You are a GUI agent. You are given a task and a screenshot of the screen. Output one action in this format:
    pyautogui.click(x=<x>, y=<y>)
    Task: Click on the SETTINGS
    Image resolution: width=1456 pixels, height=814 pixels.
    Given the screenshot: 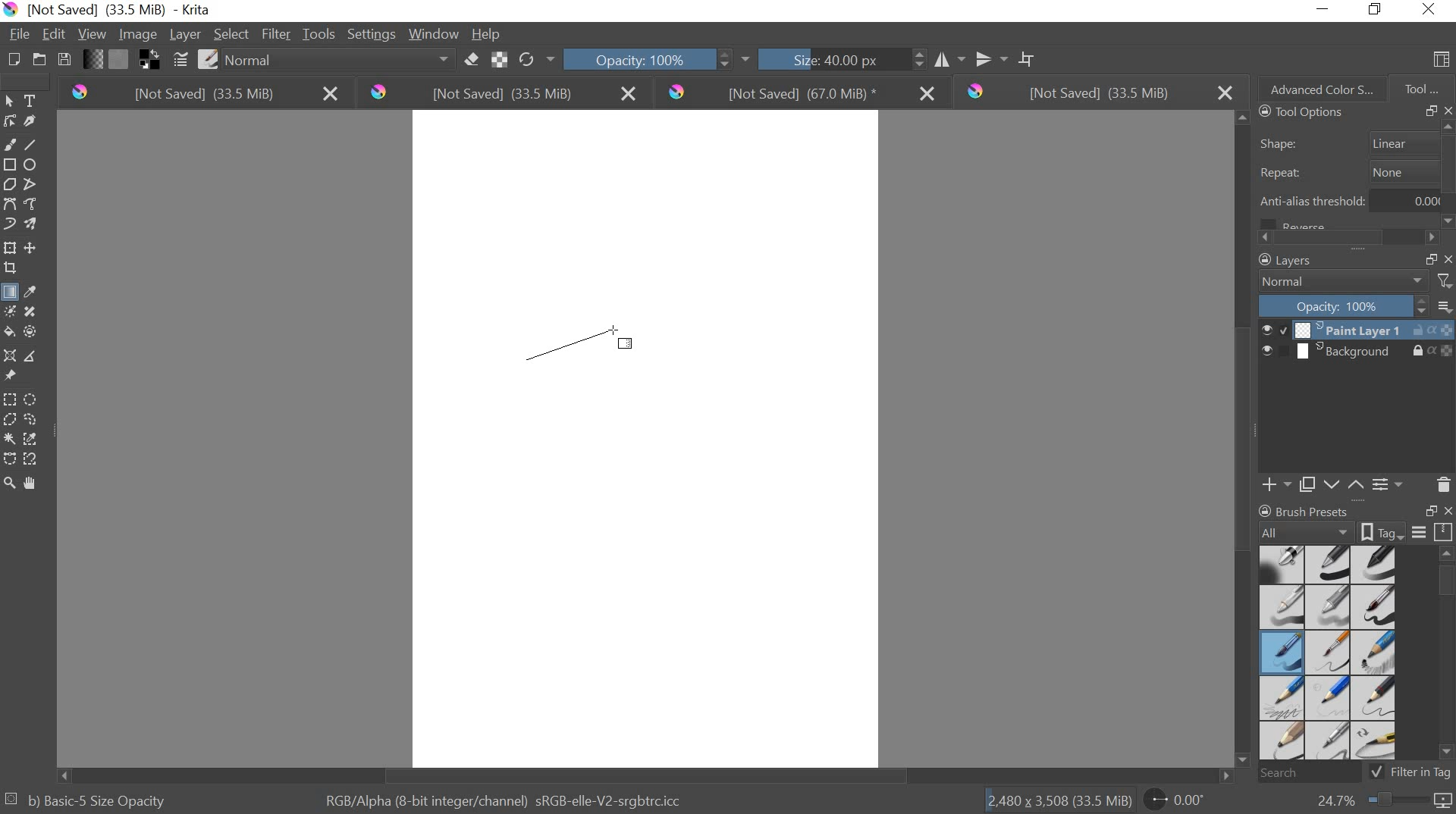 What is the action you would take?
    pyautogui.click(x=371, y=33)
    